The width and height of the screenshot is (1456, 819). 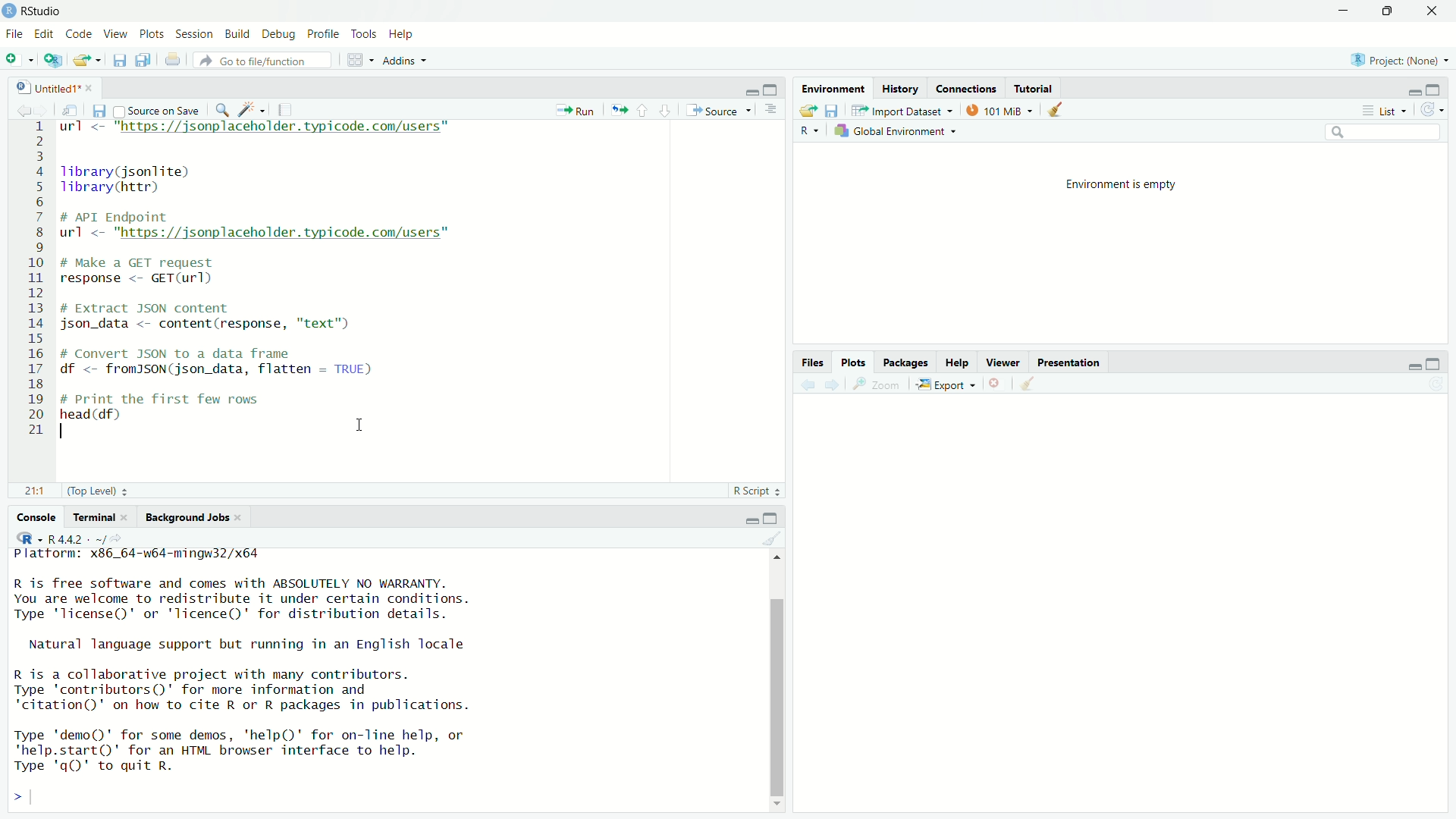 What do you see at coordinates (241, 601) in the screenshot?
I see `R is free software and comes with ABSOLUTELY NO WARRANTY.
You are welcome to redistribute it under certain conditions.
Type 'license()' or 'licence()' for distribution details.` at bounding box center [241, 601].